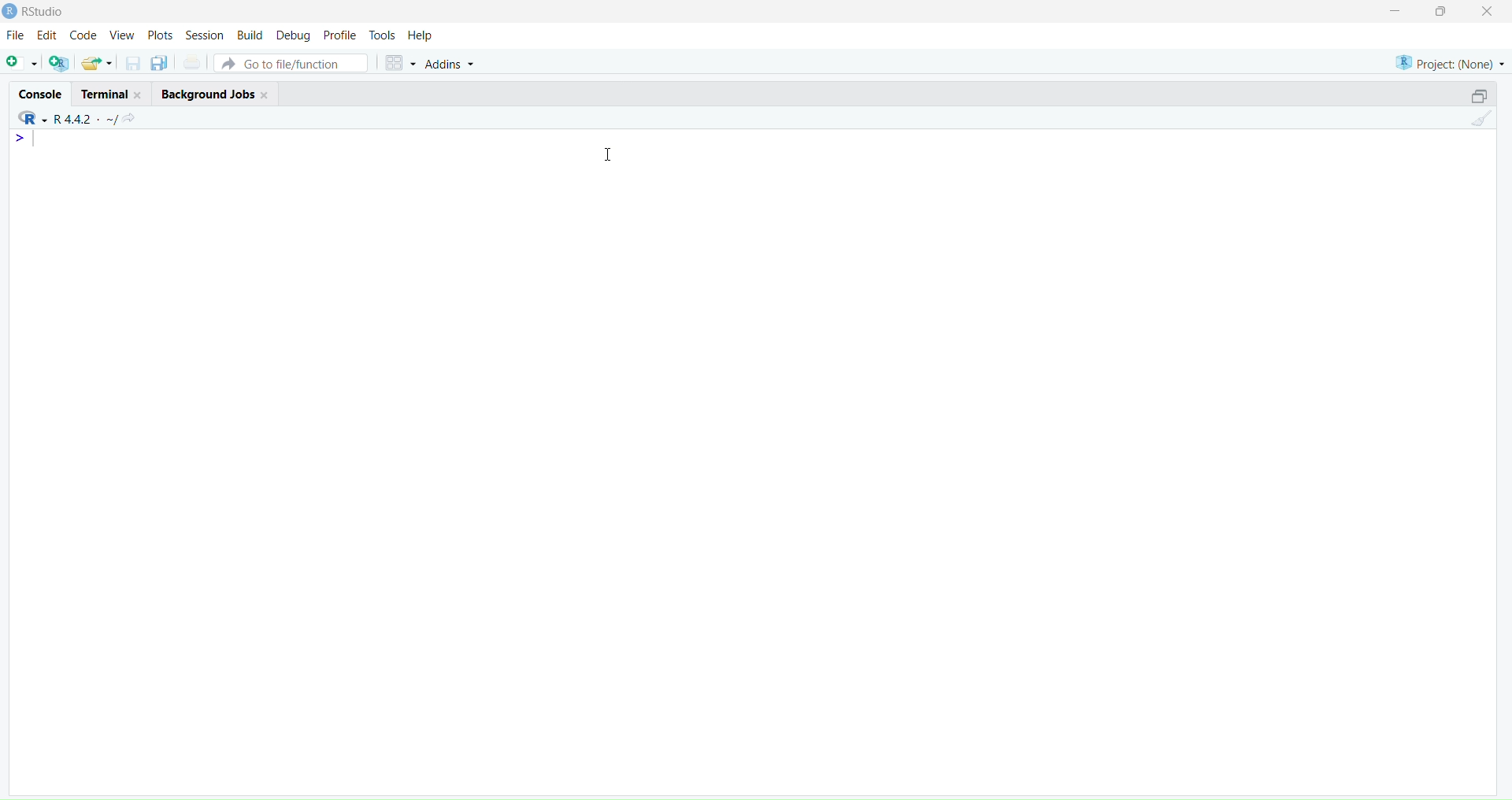  I want to click on File, so click(16, 36).